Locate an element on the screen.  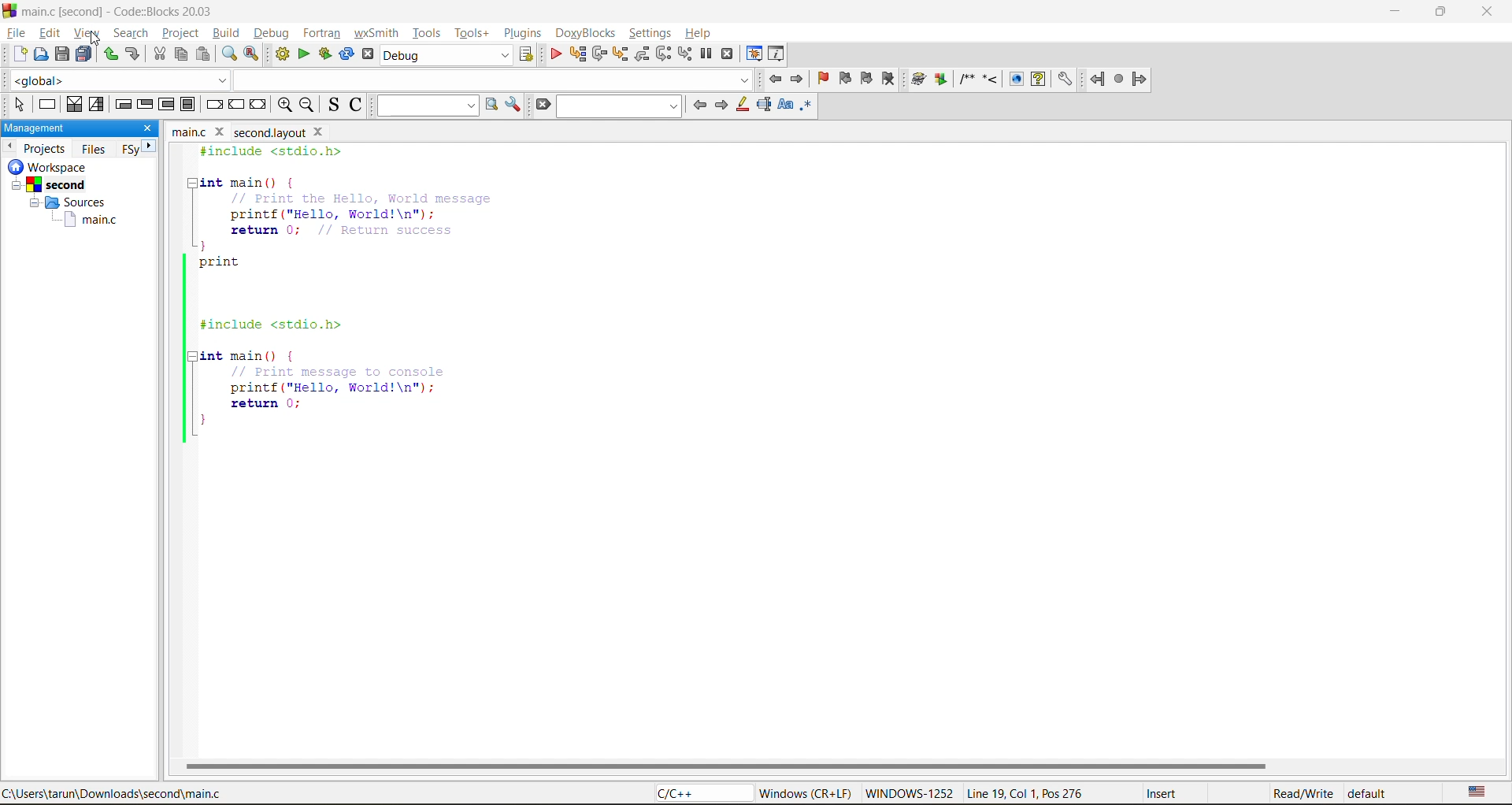
zoom out is located at coordinates (307, 106).